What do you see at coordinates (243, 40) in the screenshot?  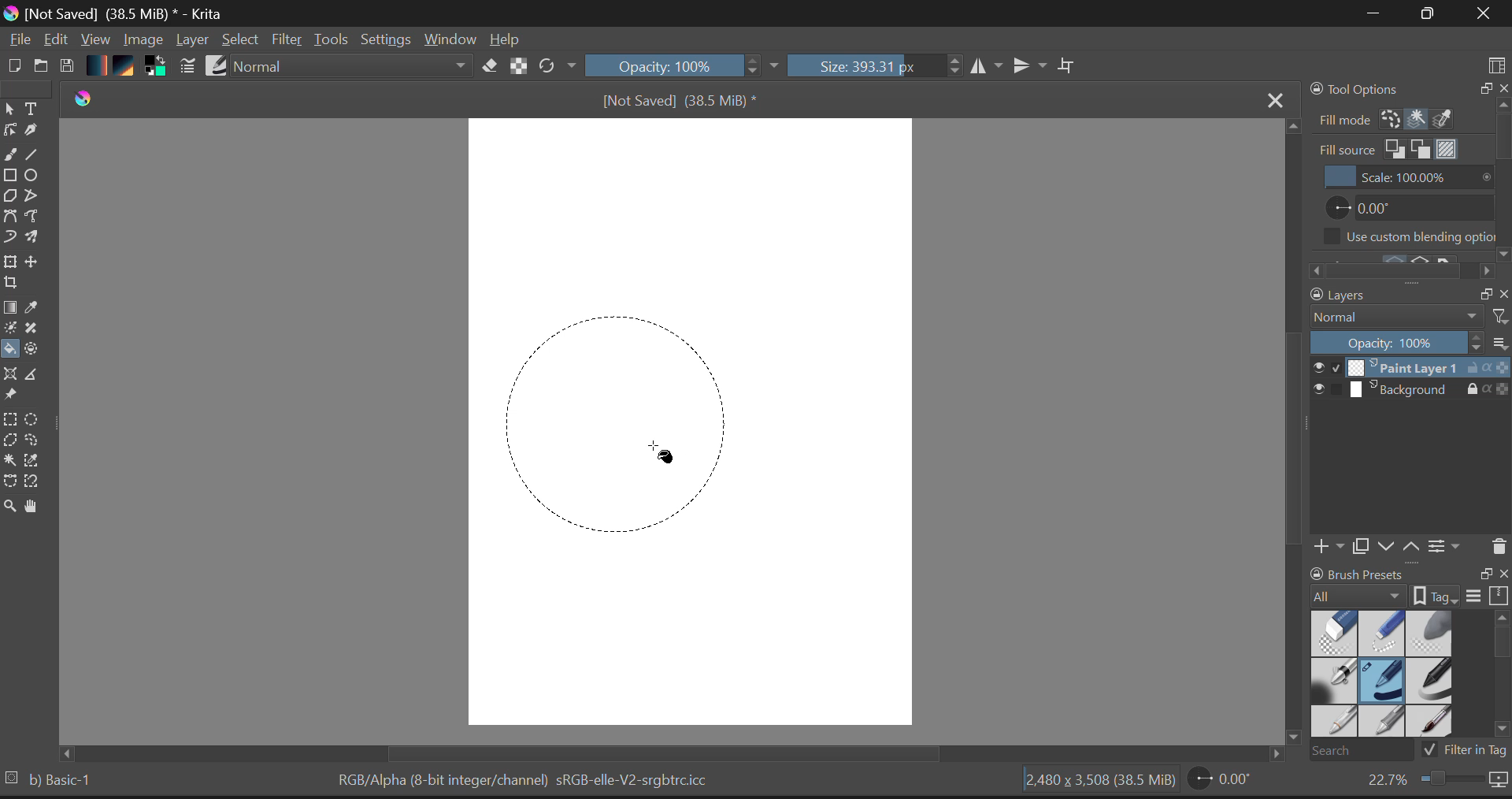 I see `Select` at bounding box center [243, 40].